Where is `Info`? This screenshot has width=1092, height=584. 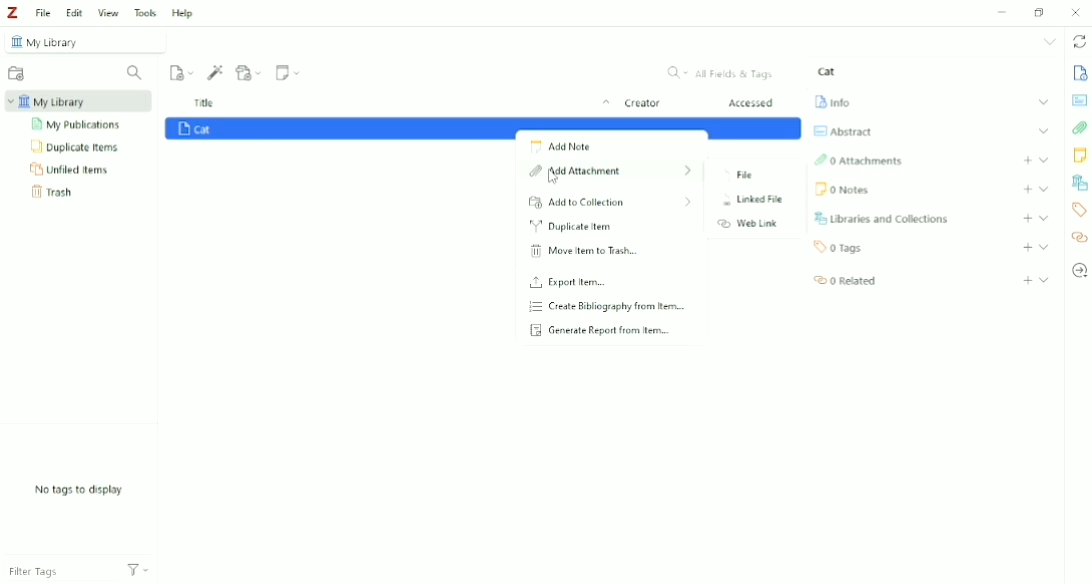 Info is located at coordinates (832, 100).